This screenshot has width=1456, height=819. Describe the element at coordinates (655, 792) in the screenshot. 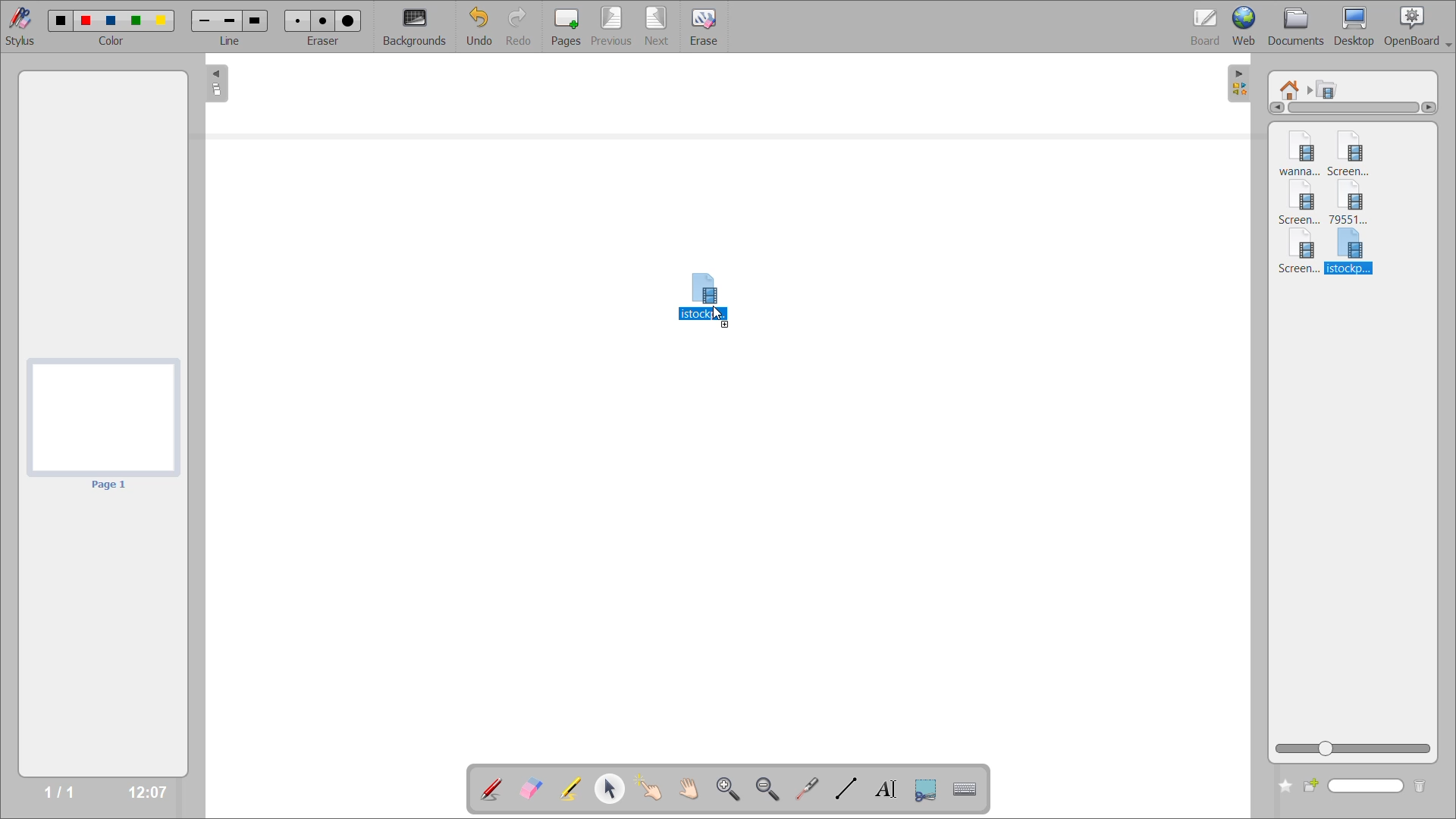

I see `interact with items` at that location.